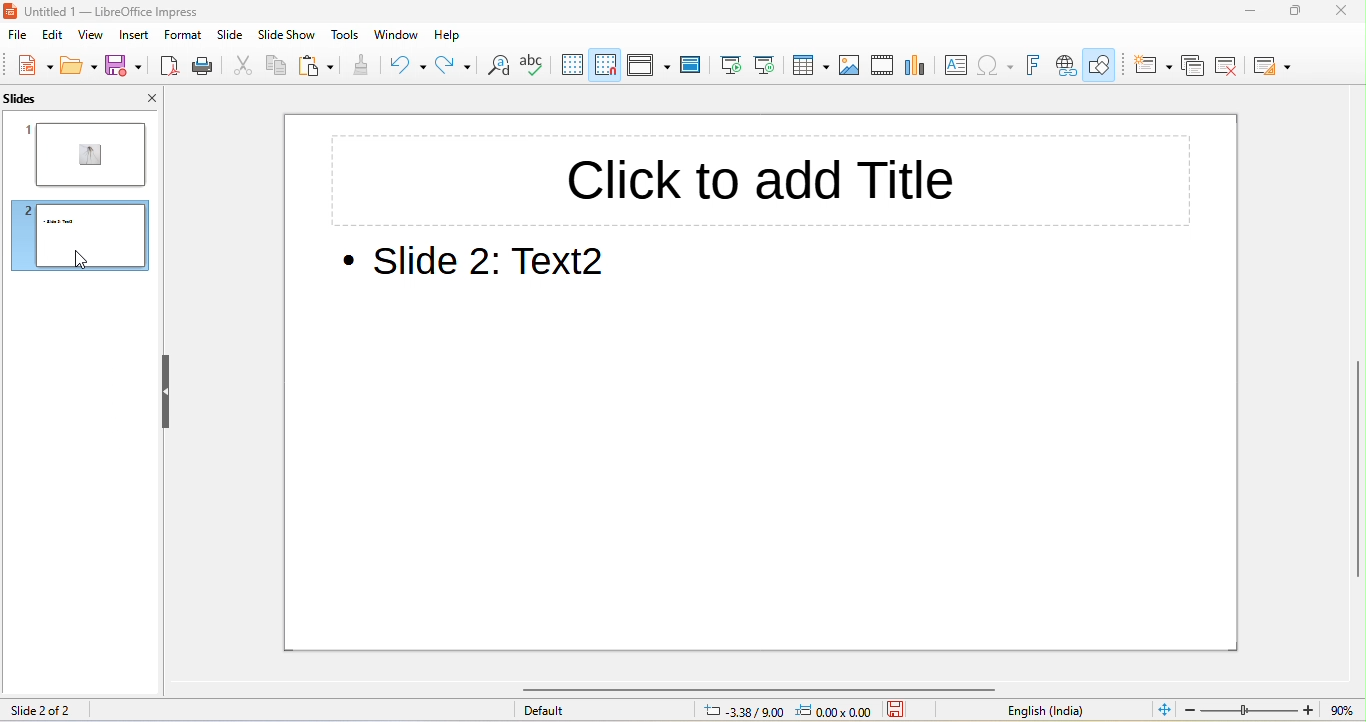 The height and width of the screenshot is (722, 1366). I want to click on table, so click(812, 66).